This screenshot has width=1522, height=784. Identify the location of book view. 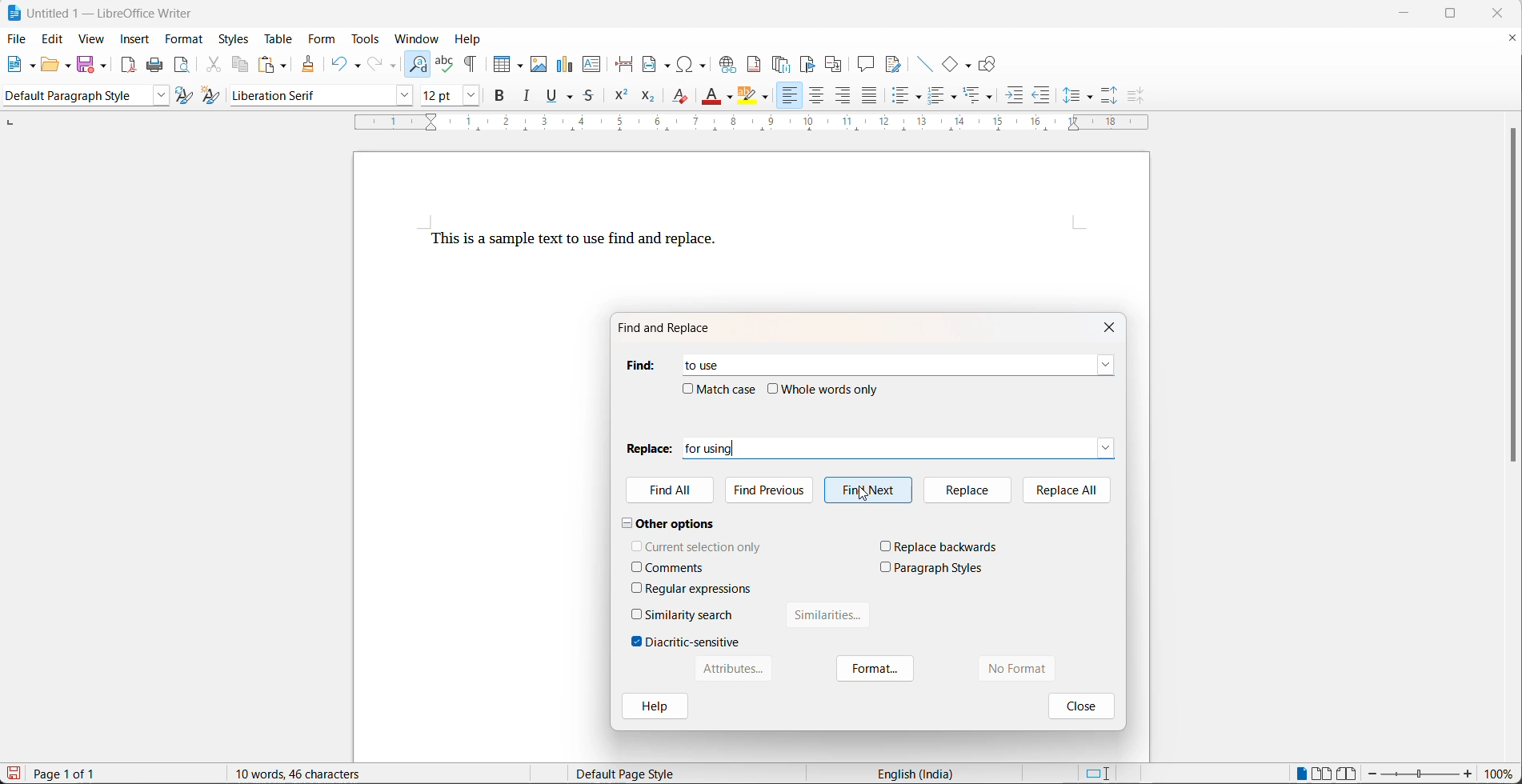
(1348, 773).